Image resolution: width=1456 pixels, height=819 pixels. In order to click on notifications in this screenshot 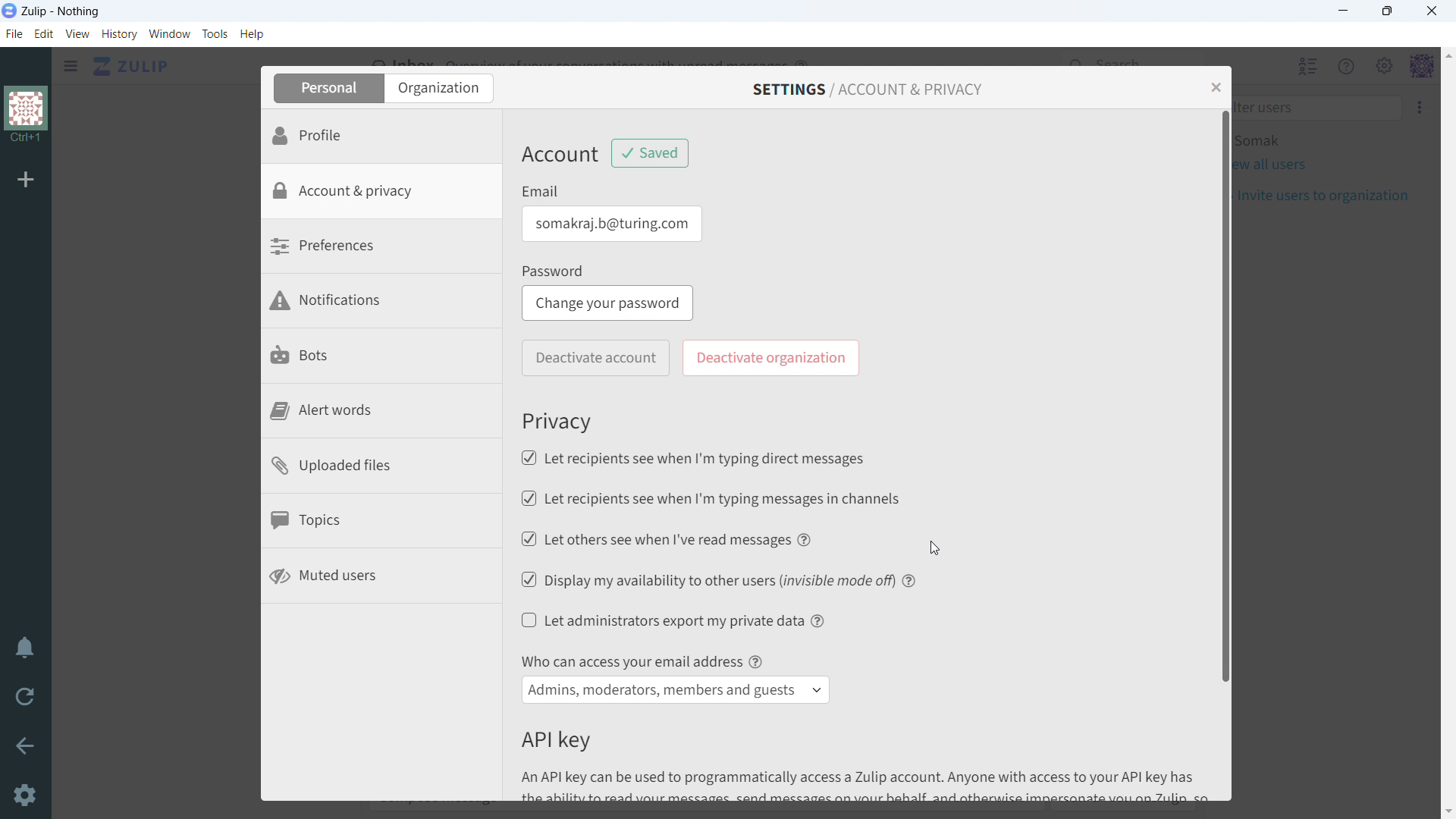, I will do `click(379, 303)`.